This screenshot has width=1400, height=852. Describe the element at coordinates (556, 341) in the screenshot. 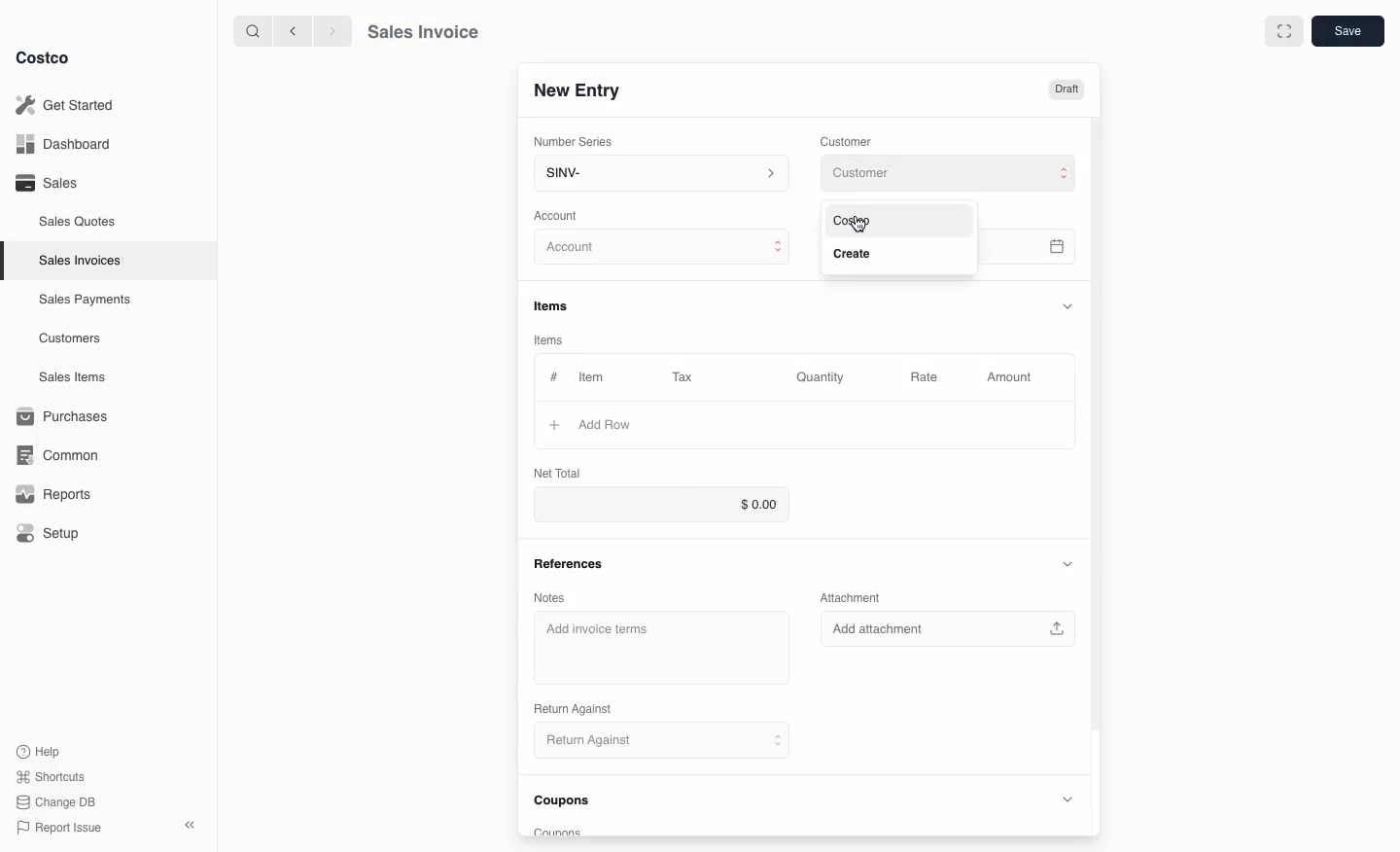

I see `Items` at that location.